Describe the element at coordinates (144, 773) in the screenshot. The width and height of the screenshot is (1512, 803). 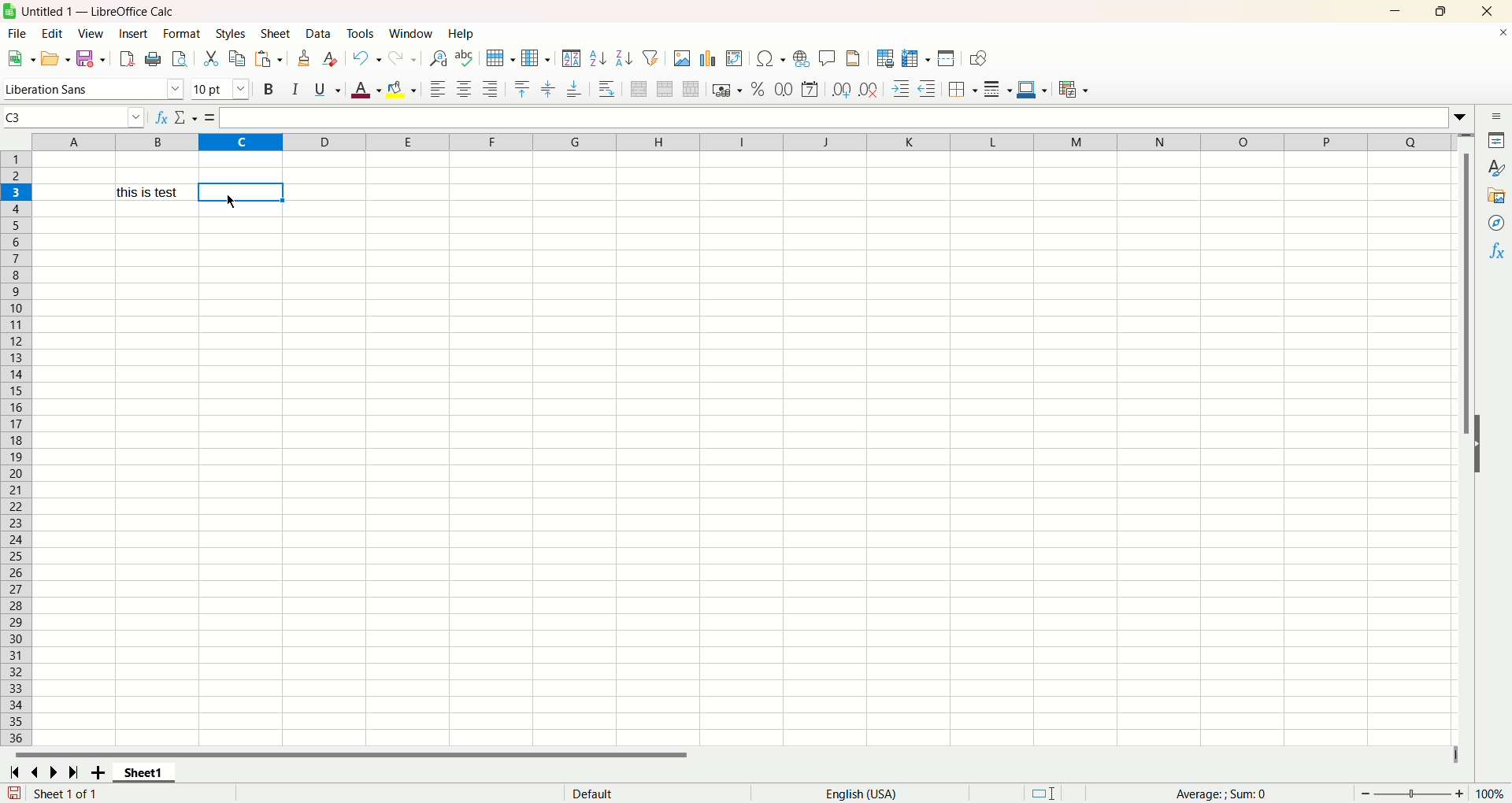
I see `sheet name` at that location.